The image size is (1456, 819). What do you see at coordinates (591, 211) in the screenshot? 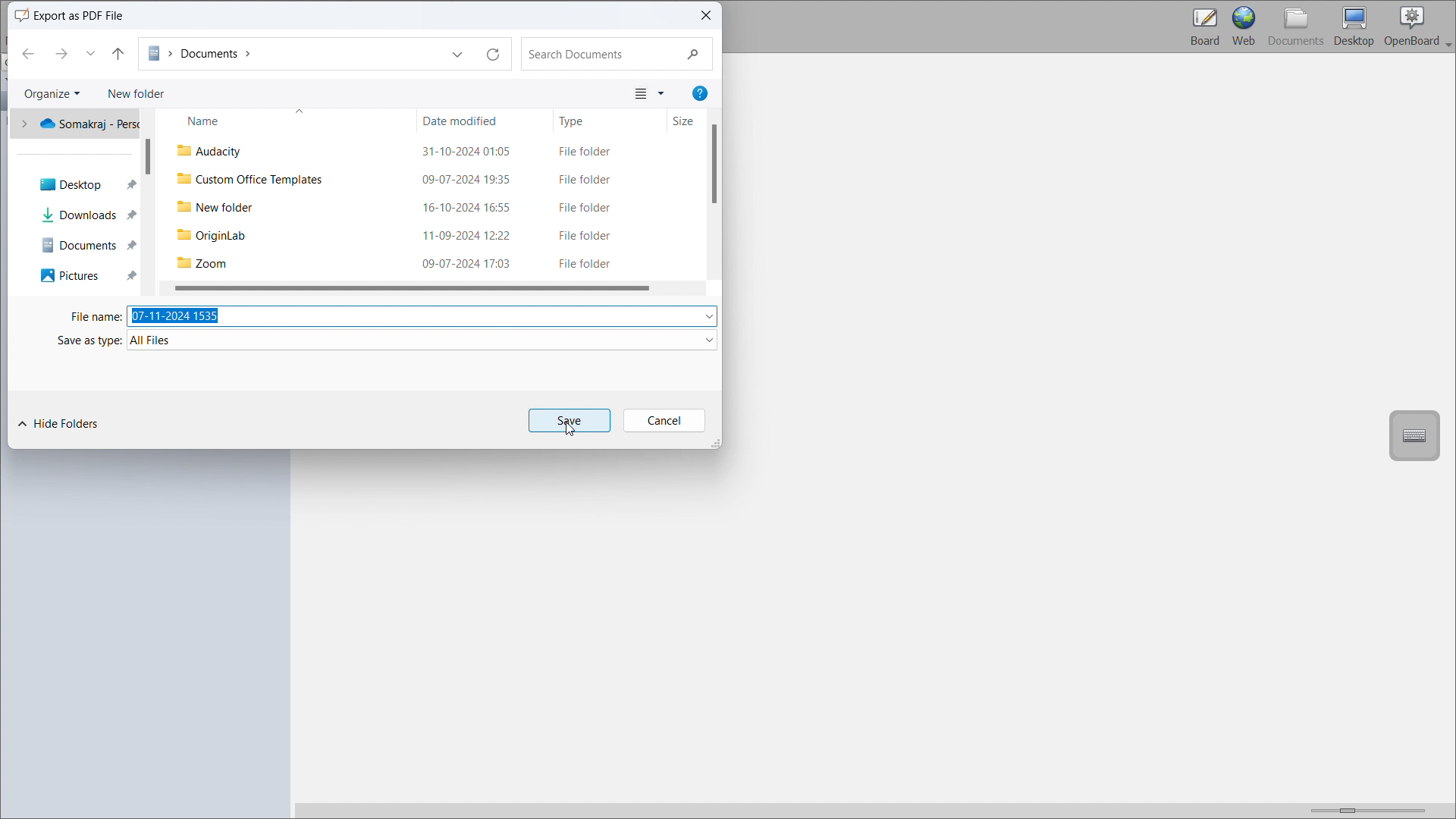
I see `File folder` at bounding box center [591, 211].